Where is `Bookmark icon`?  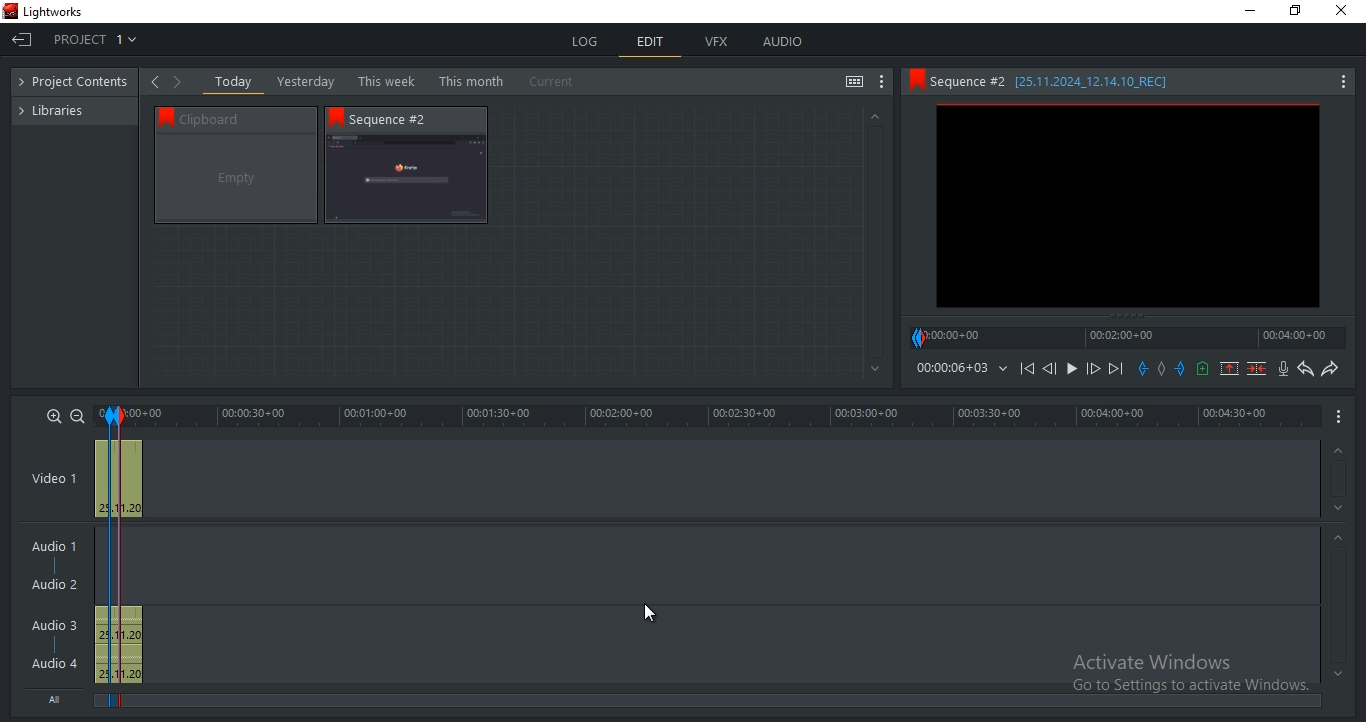 Bookmark icon is located at coordinates (915, 80).